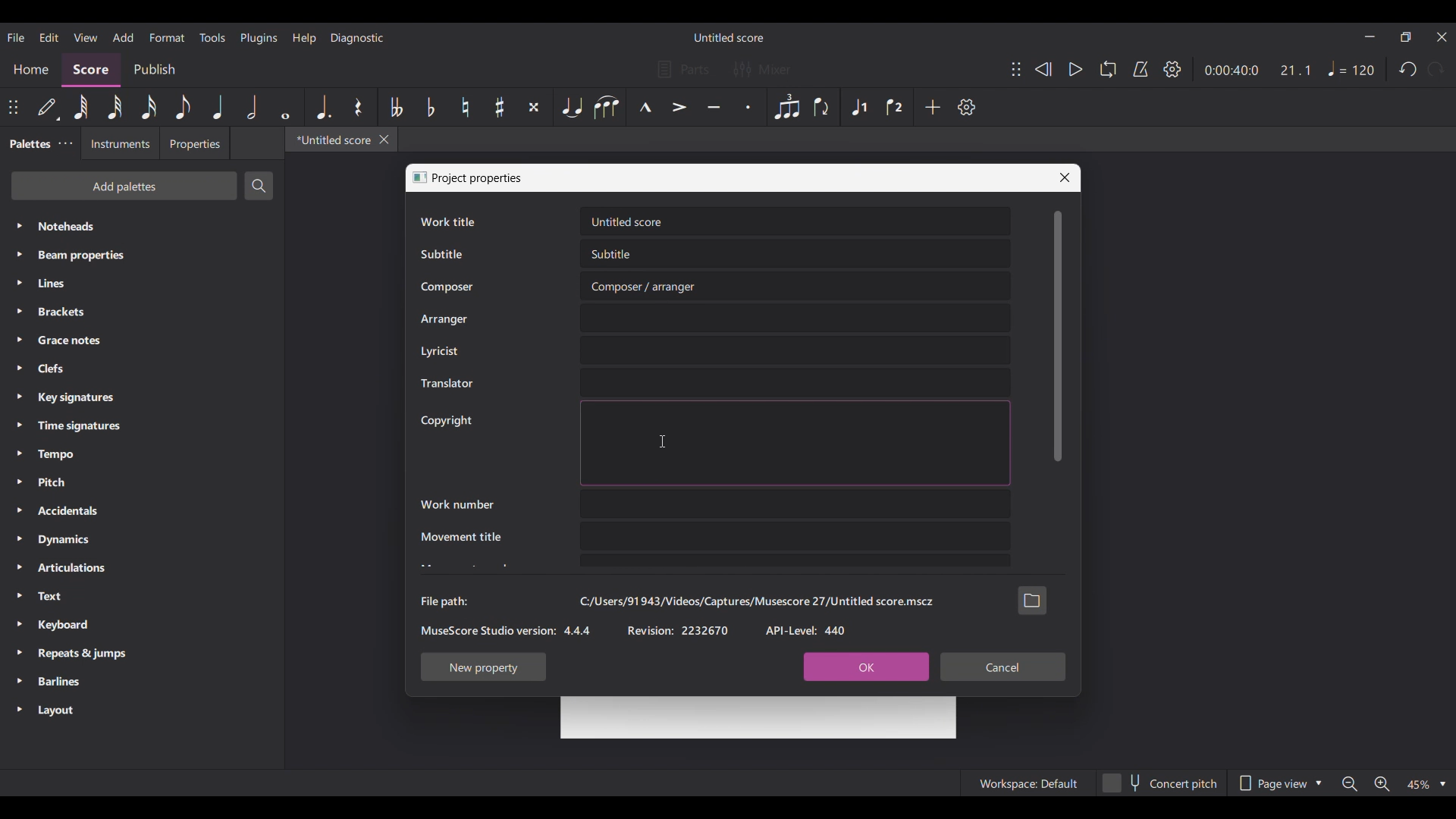 This screenshot has width=1456, height=819. I want to click on New property, so click(484, 667).